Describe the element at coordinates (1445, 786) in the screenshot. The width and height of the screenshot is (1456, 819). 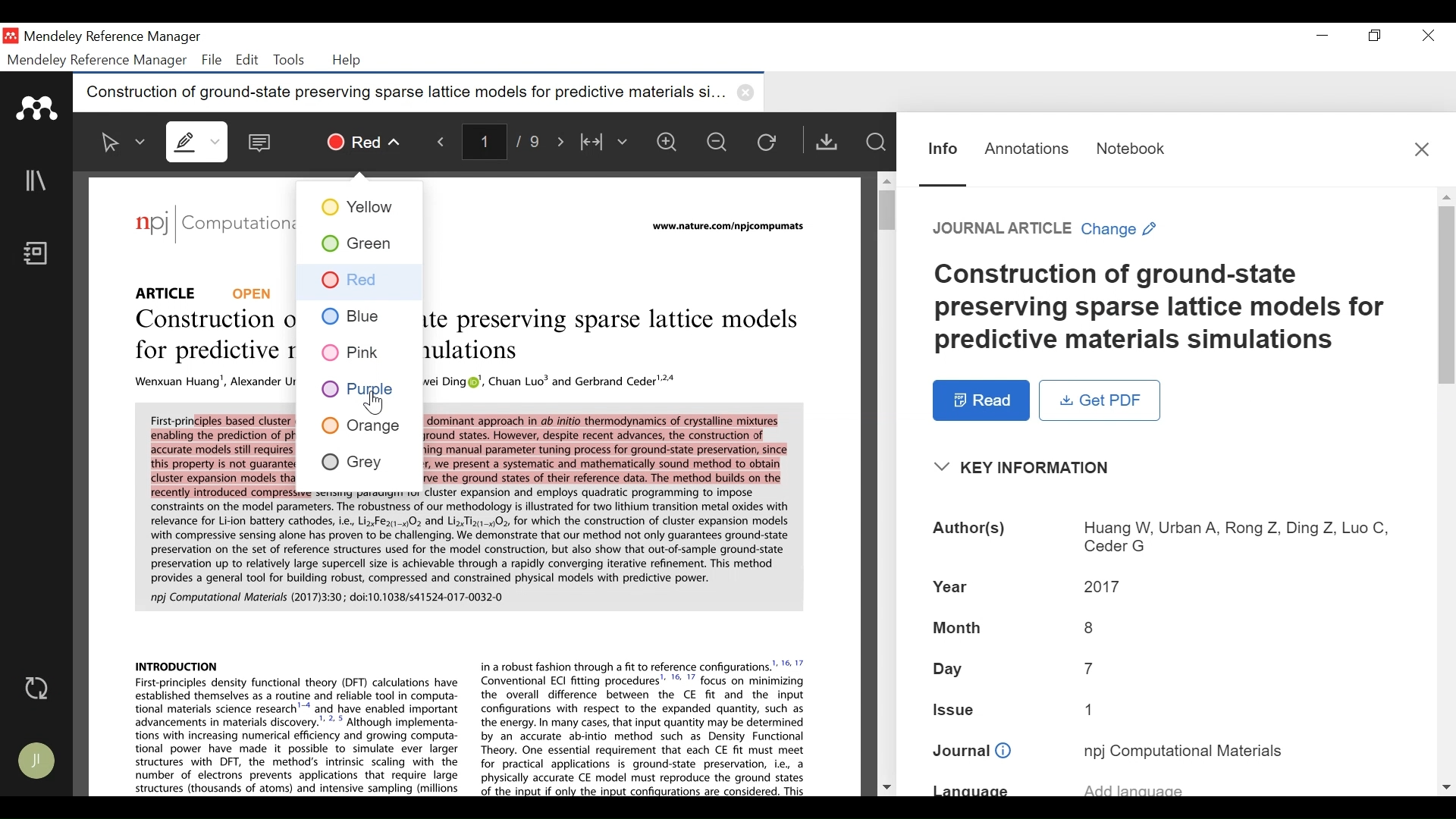
I see `Scroll down` at that location.